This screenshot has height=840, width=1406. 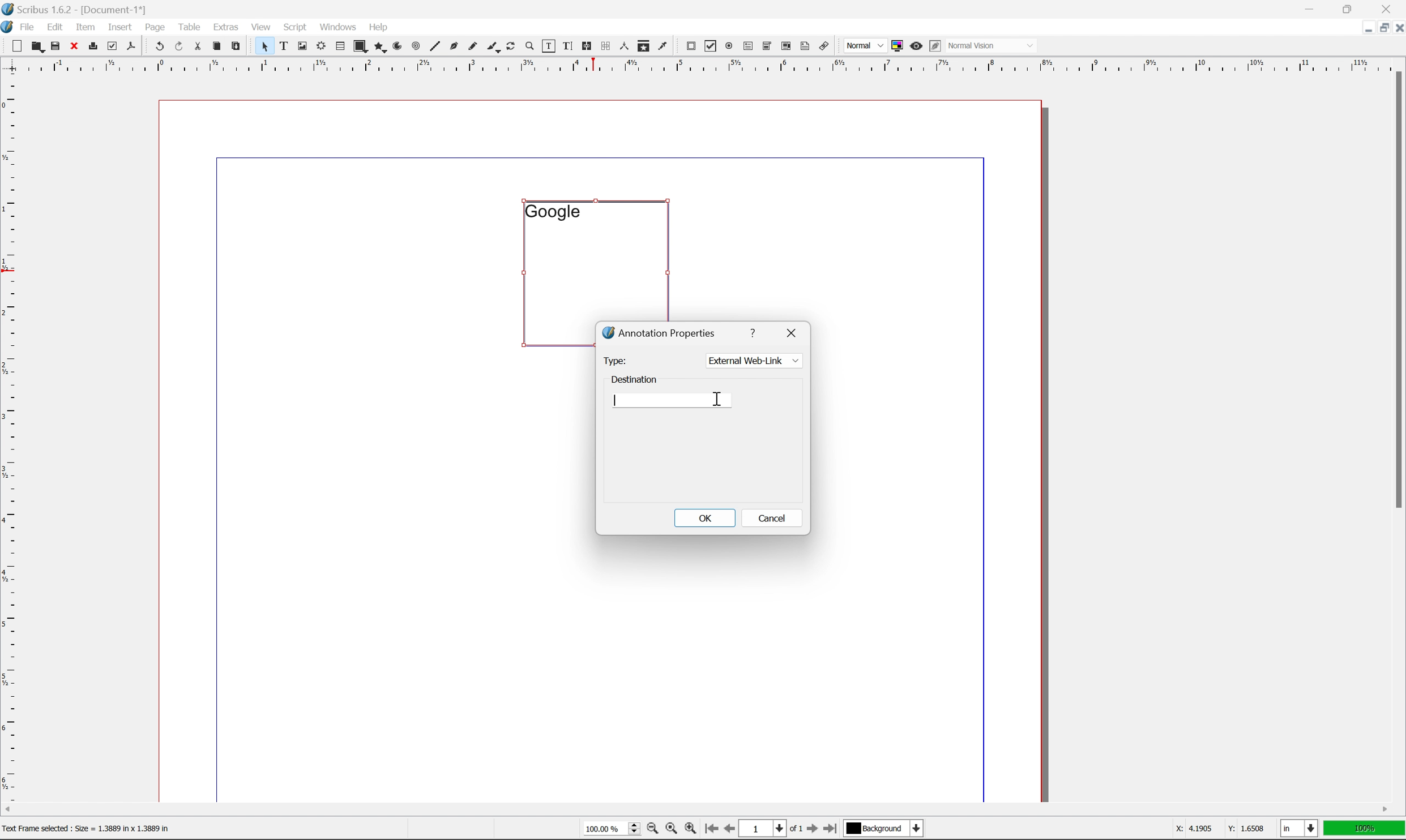 What do you see at coordinates (113, 45) in the screenshot?
I see `preflight verifier` at bounding box center [113, 45].